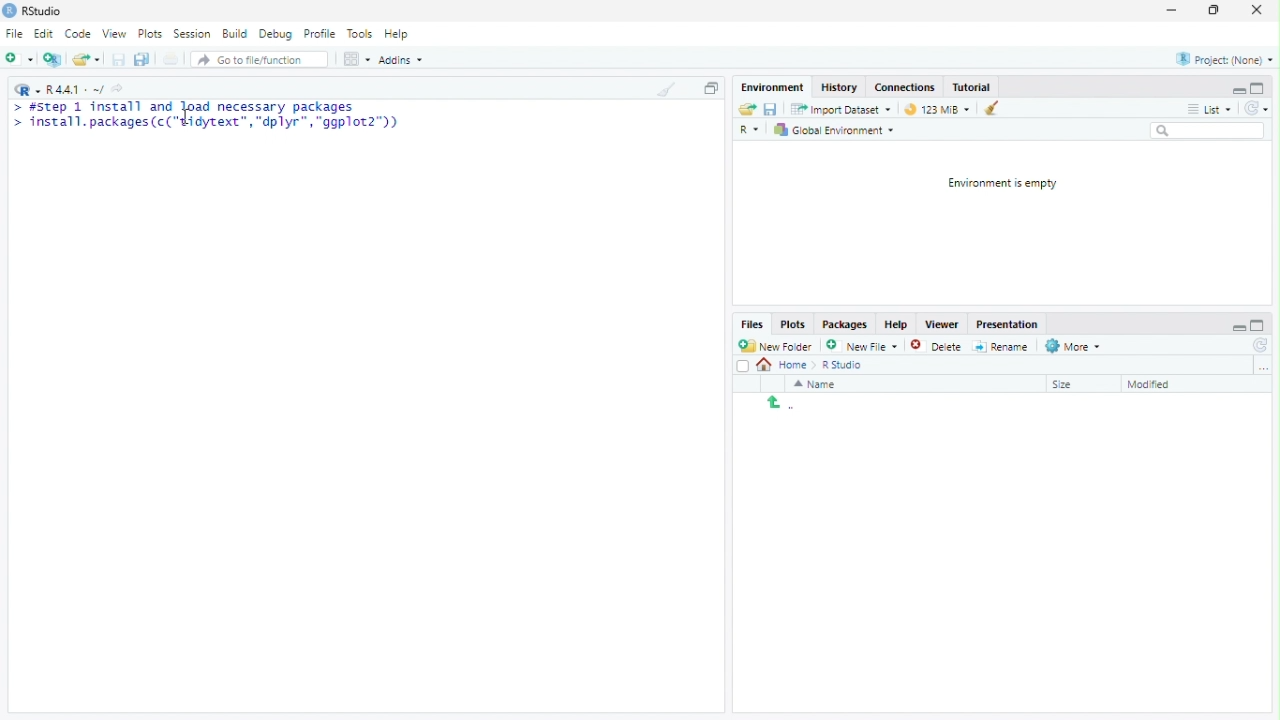 Image resolution: width=1280 pixels, height=720 pixels. What do you see at coordinates (355, 60) in the screenshot?
I see `Workspace pane` at bounding box center [355, 60].